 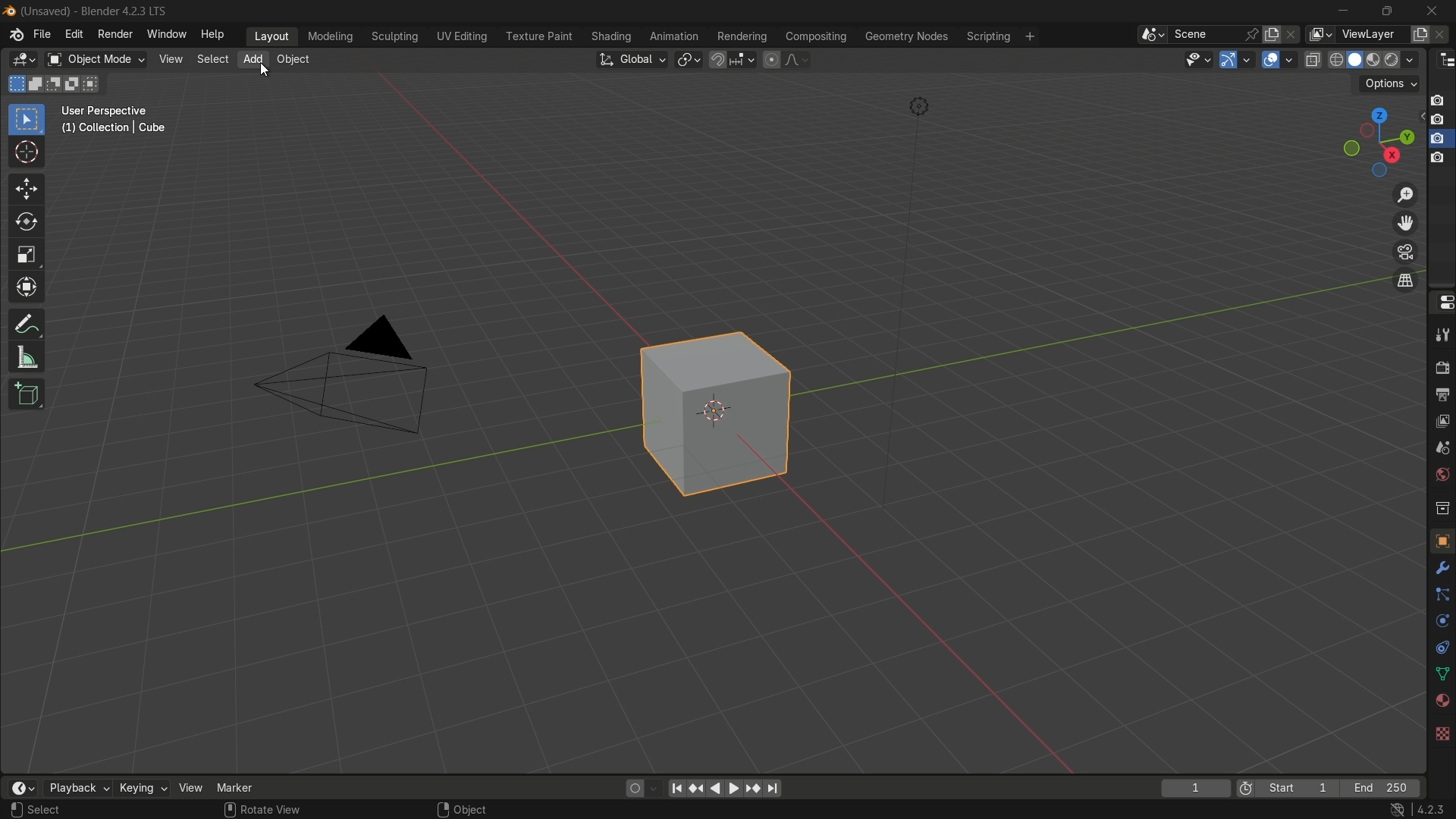 What do you see at coordinates (1405, 252) in the screenshot?
I see `toggle the camera view` at bounding box center [1405, 252].